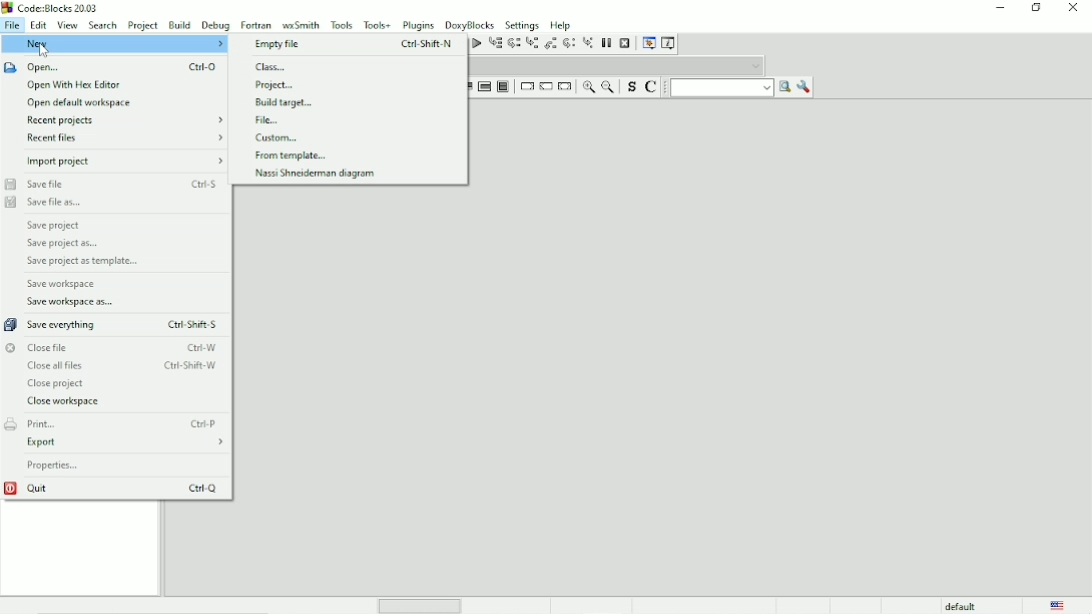 This screenshot has height=614, width=1092. What do you see at coordinates (495, 44) in the screenshot?
I see `Run to cursor` at bounding box center [495, 44].